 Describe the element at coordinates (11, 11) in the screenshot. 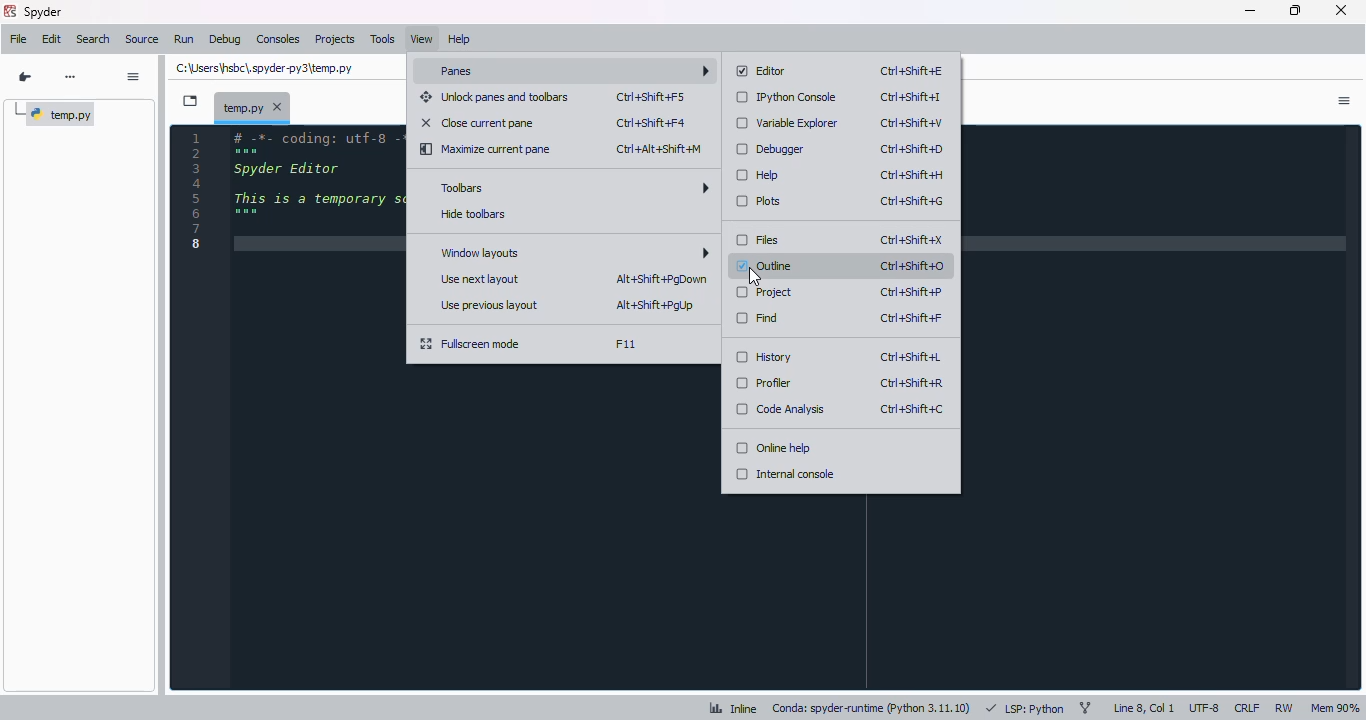

I see `logo` at that location.